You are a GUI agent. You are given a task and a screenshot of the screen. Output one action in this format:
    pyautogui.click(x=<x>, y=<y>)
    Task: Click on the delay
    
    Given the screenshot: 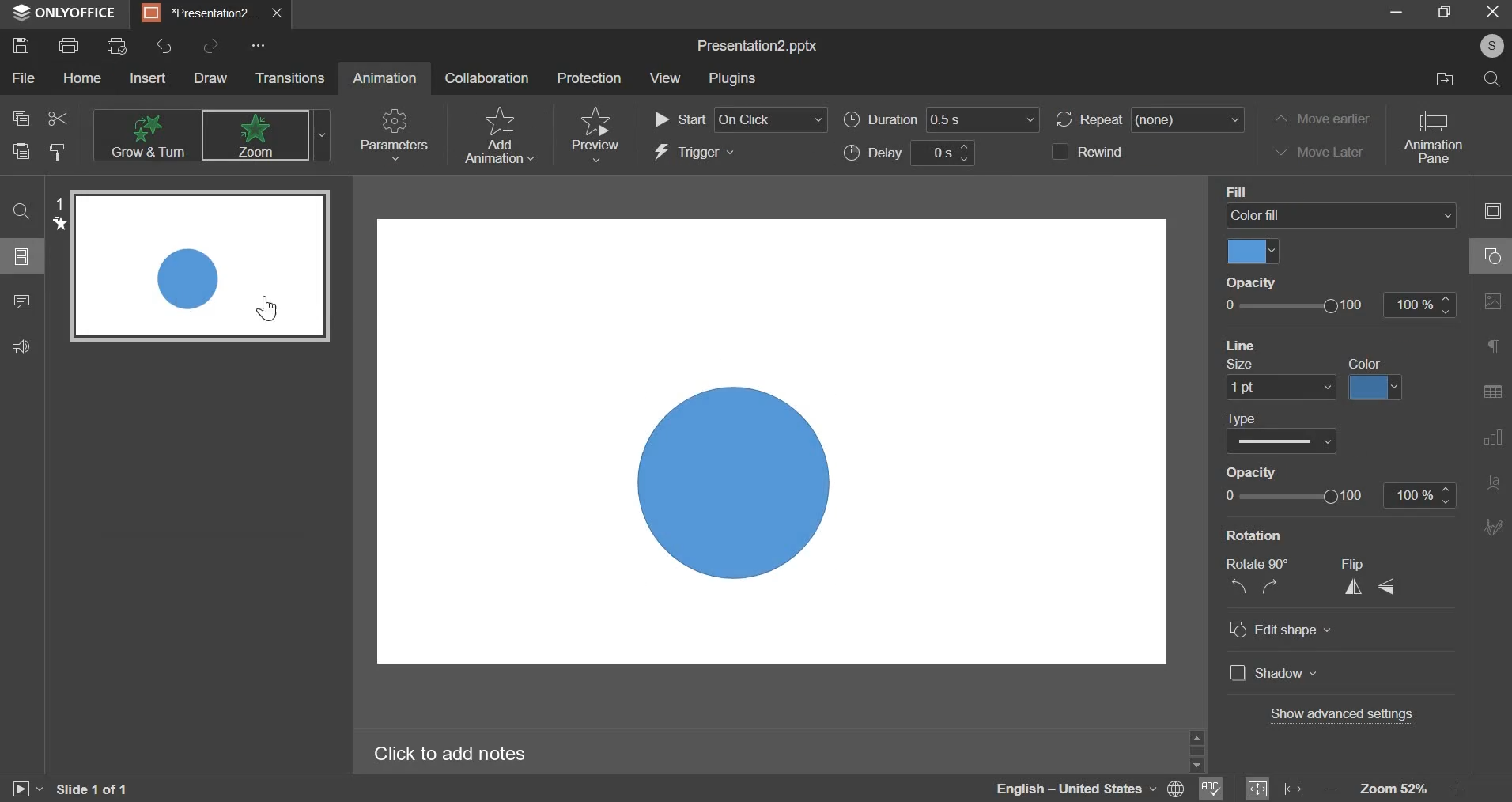 What is the action you would take?
    pyautogui.click(x=909, y=153)
    